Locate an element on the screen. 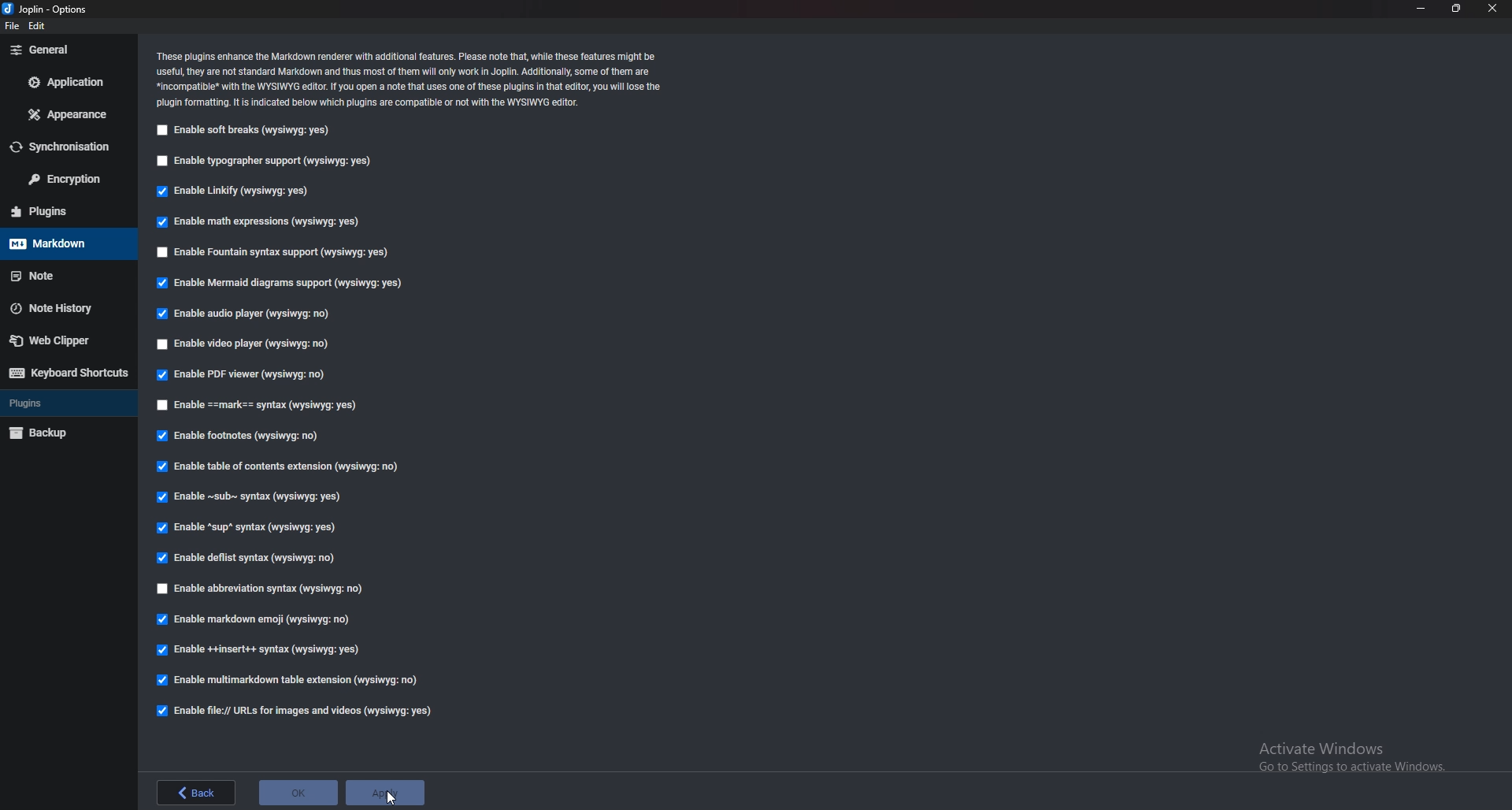 This screenshot has height=810, width=1512. Enable audio player is located at coordinates (244, 314).